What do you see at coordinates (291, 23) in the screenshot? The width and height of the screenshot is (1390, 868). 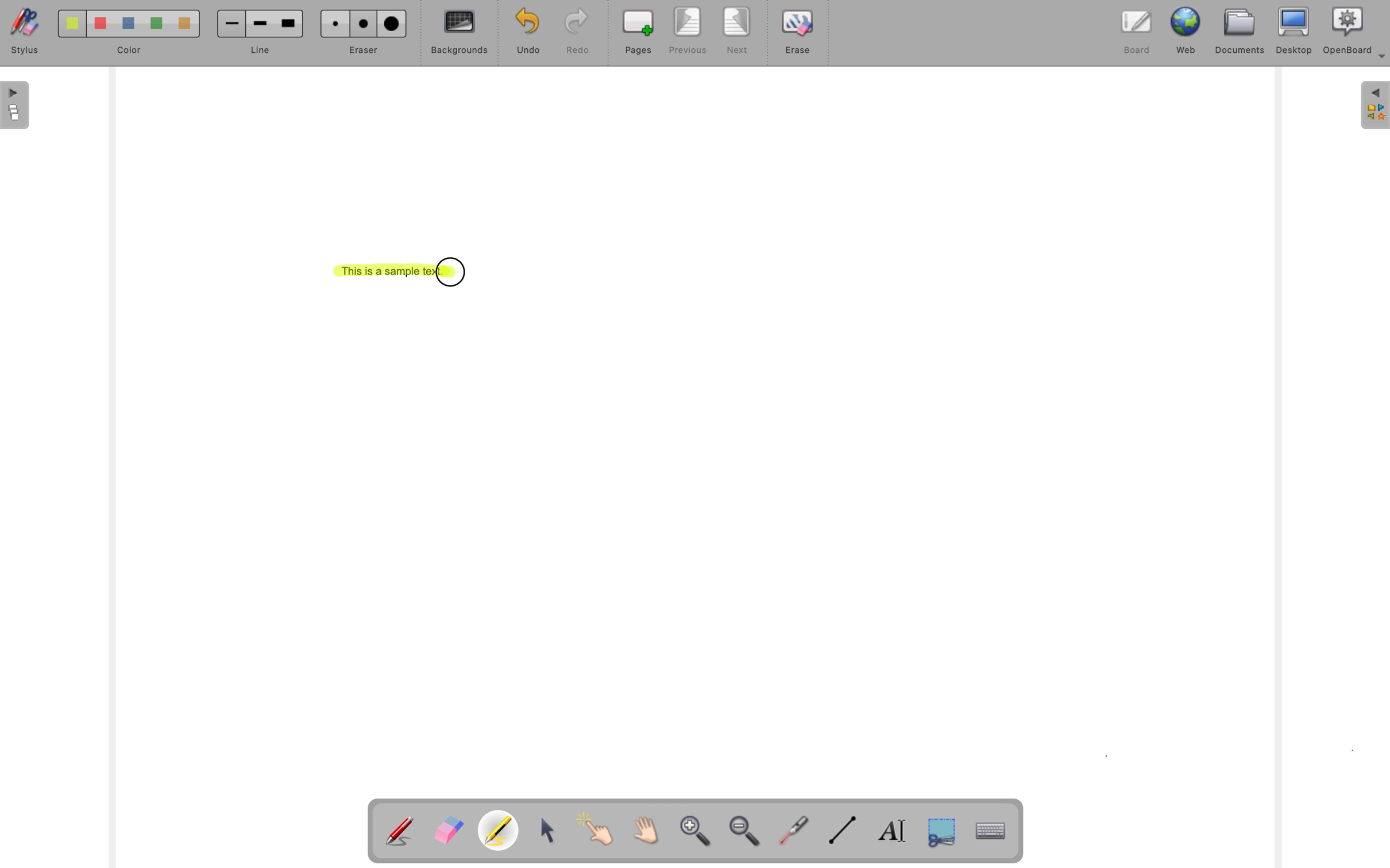 I see `Large line` at bounding box center [291, 23].